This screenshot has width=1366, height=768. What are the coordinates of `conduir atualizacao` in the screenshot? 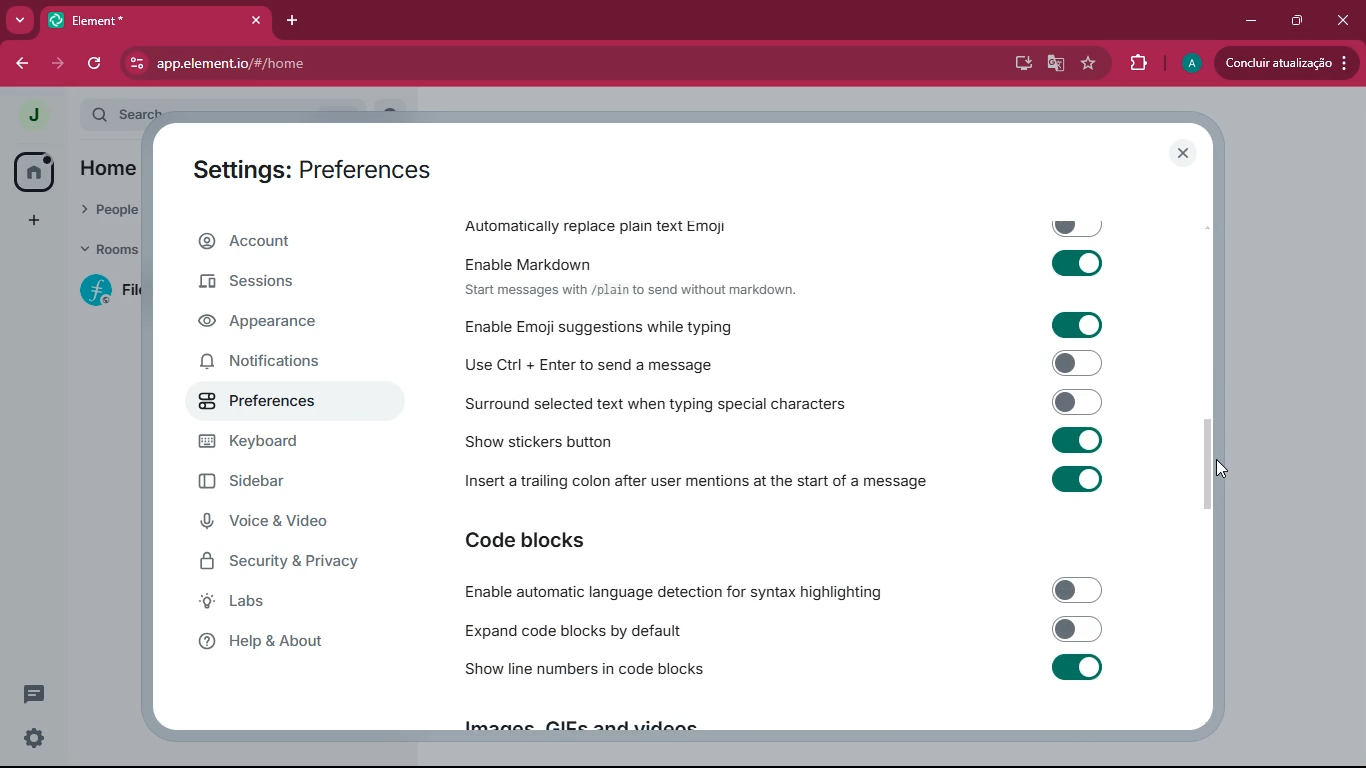 It's located at (1285, 63).